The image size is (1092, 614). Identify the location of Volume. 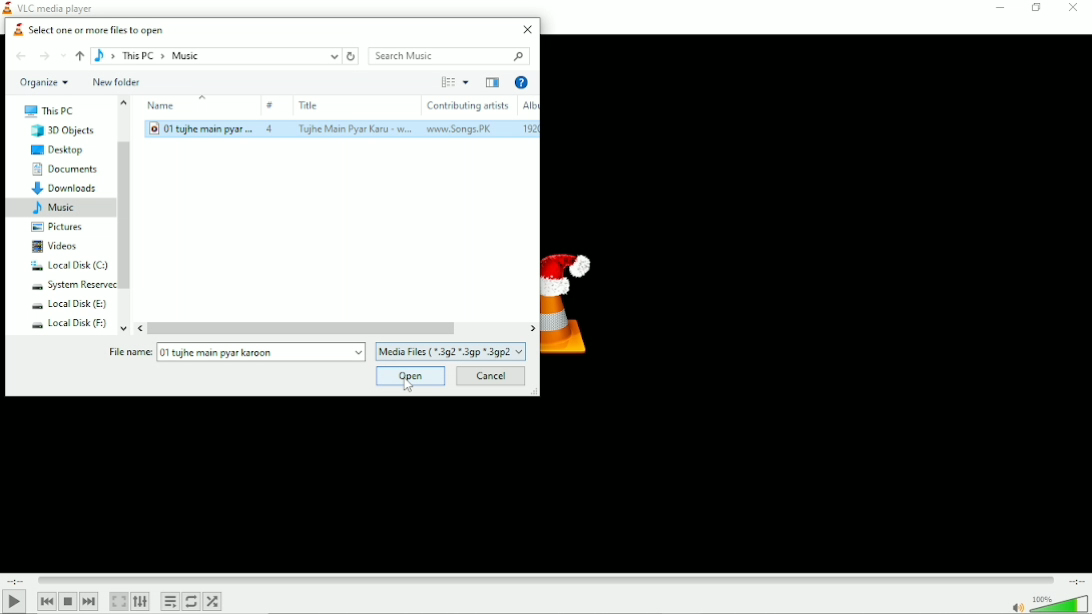
(1048, 603).